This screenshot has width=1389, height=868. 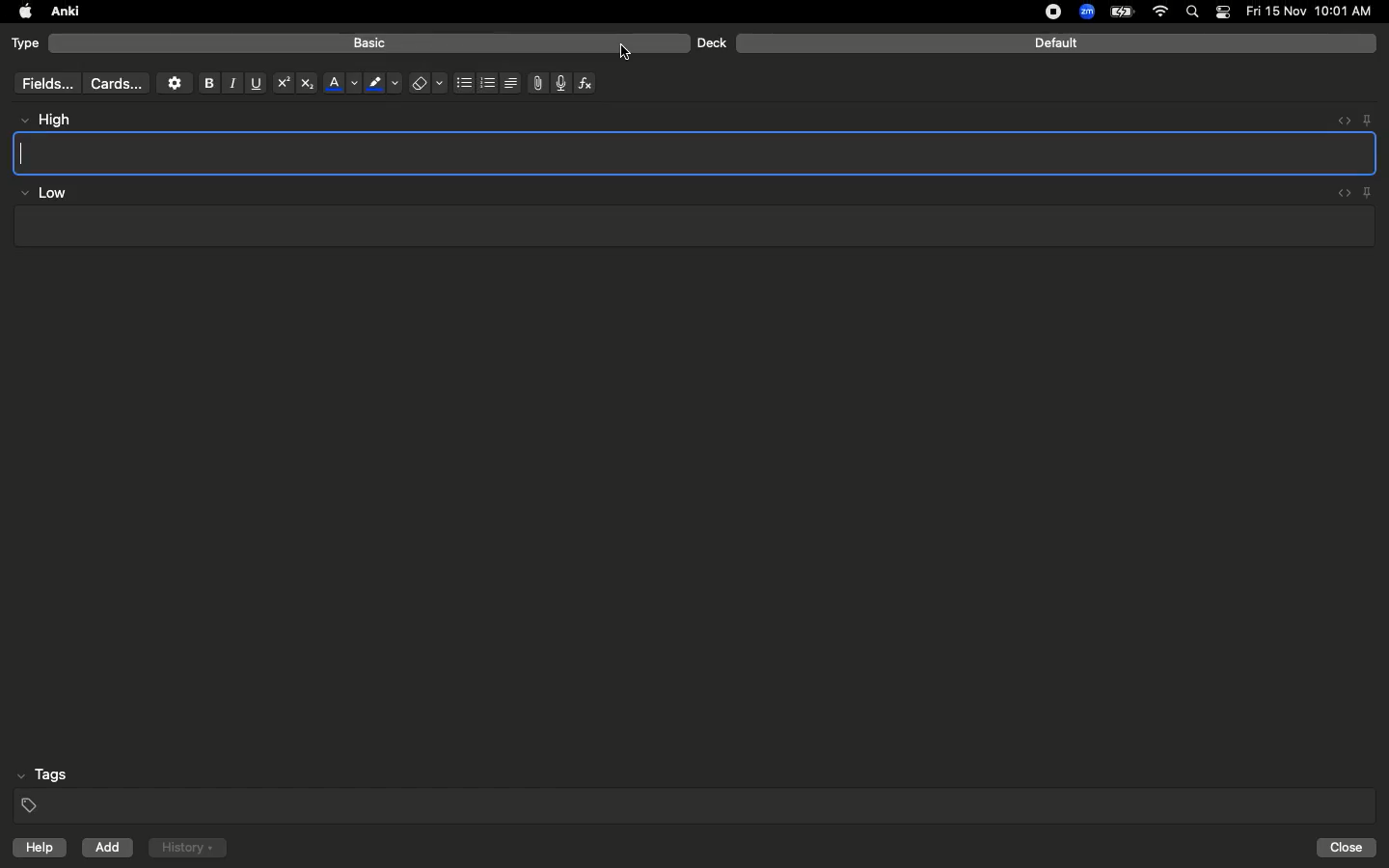 I want to click on High, so click(x=54, y=120).